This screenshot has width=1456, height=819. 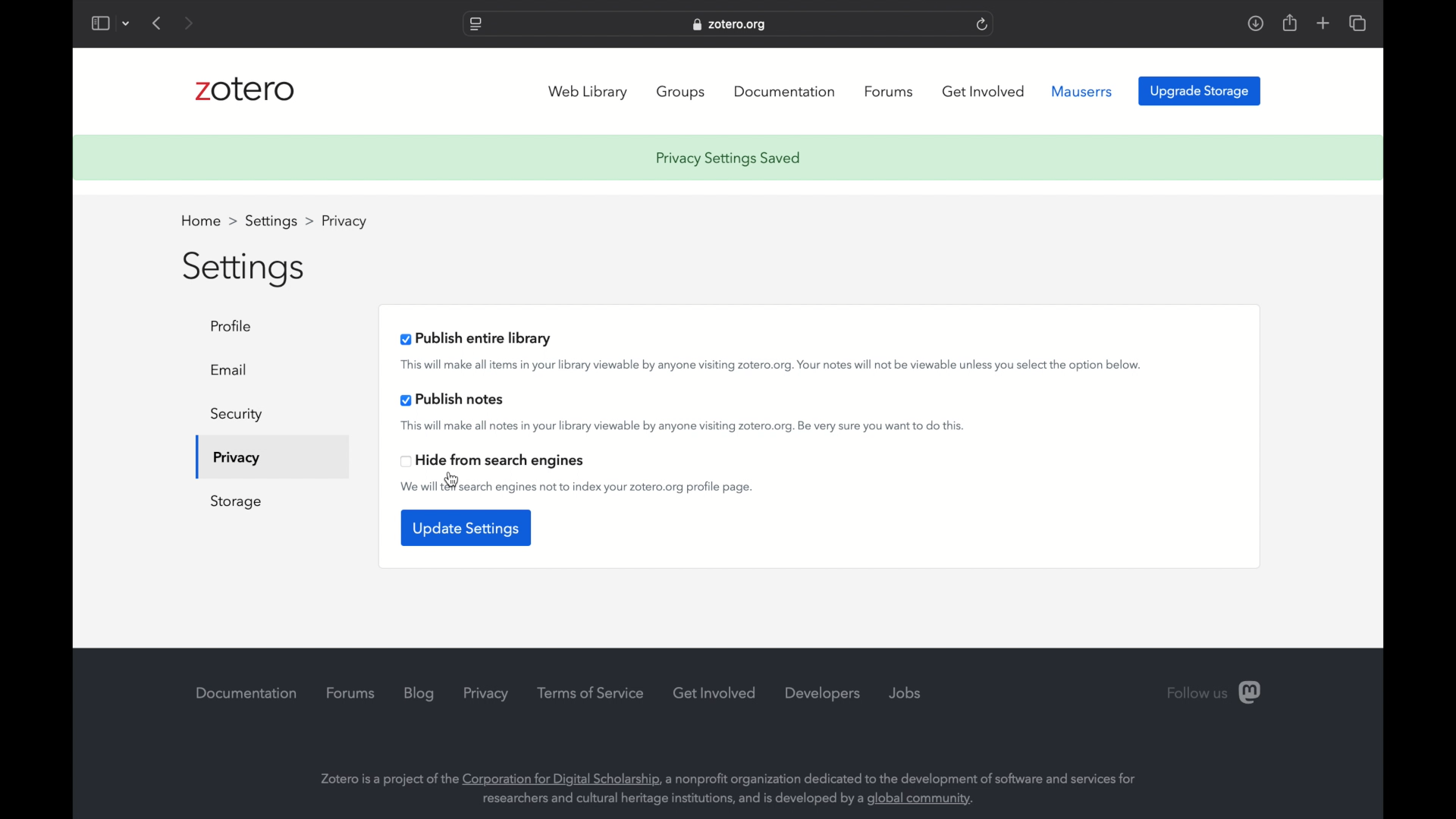 What do you see at coordinates (682, 93) in the screenshot?
I see `groups` at bounding box center [682, 93].